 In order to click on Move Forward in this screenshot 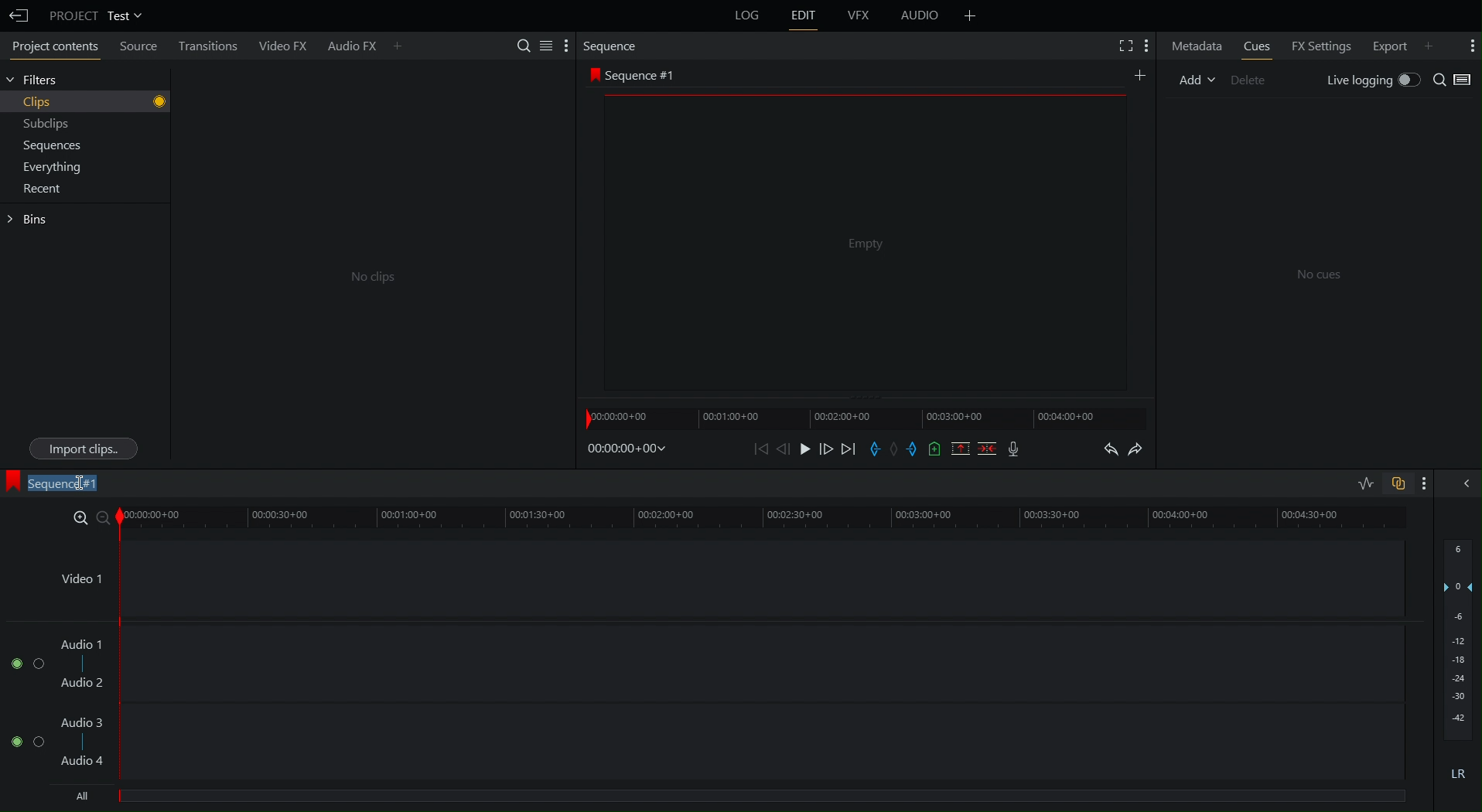, I will do `click(828, 449)`.